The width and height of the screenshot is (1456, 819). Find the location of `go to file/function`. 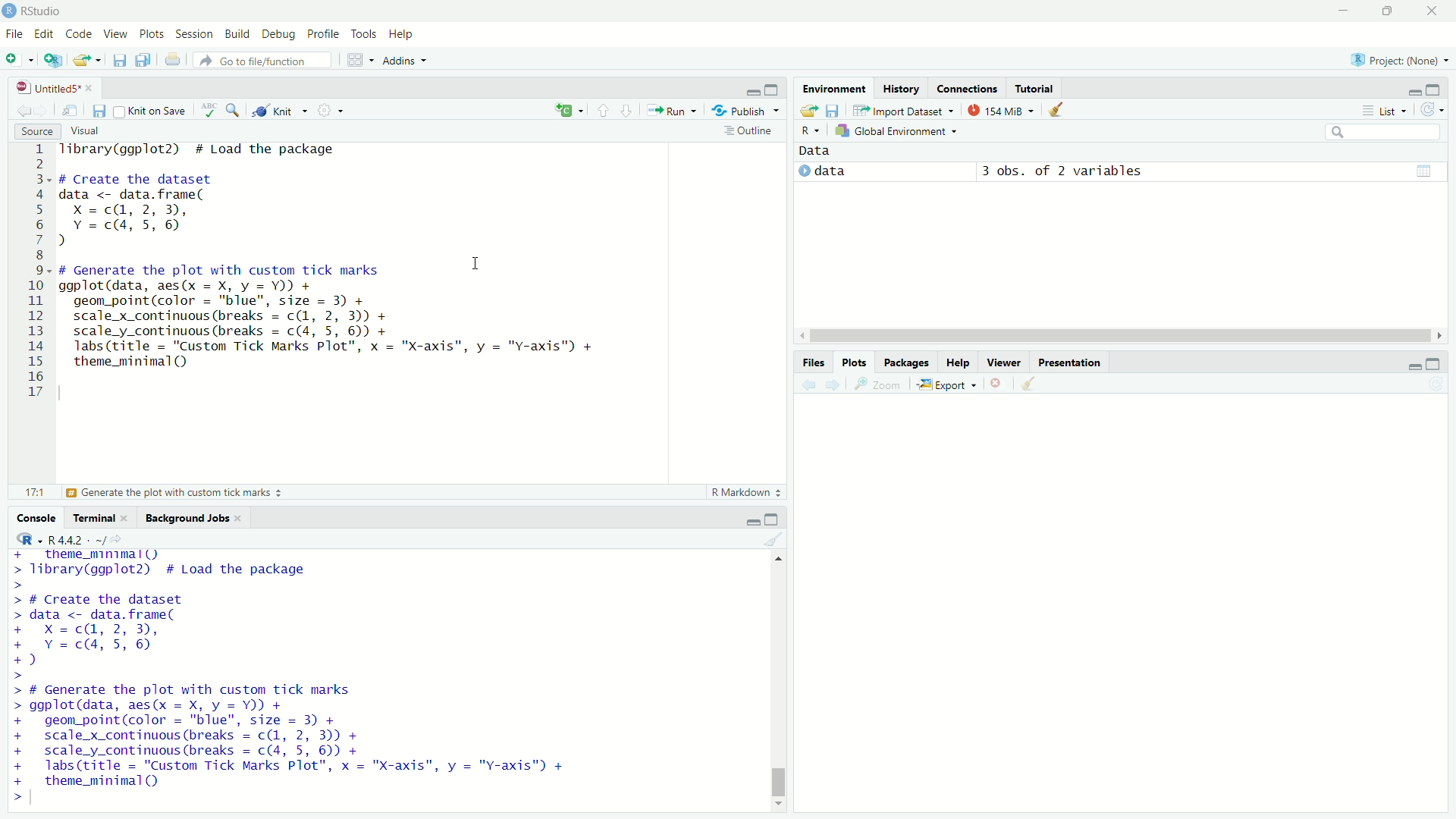

go to file/function is located at coordinates (262, 60).